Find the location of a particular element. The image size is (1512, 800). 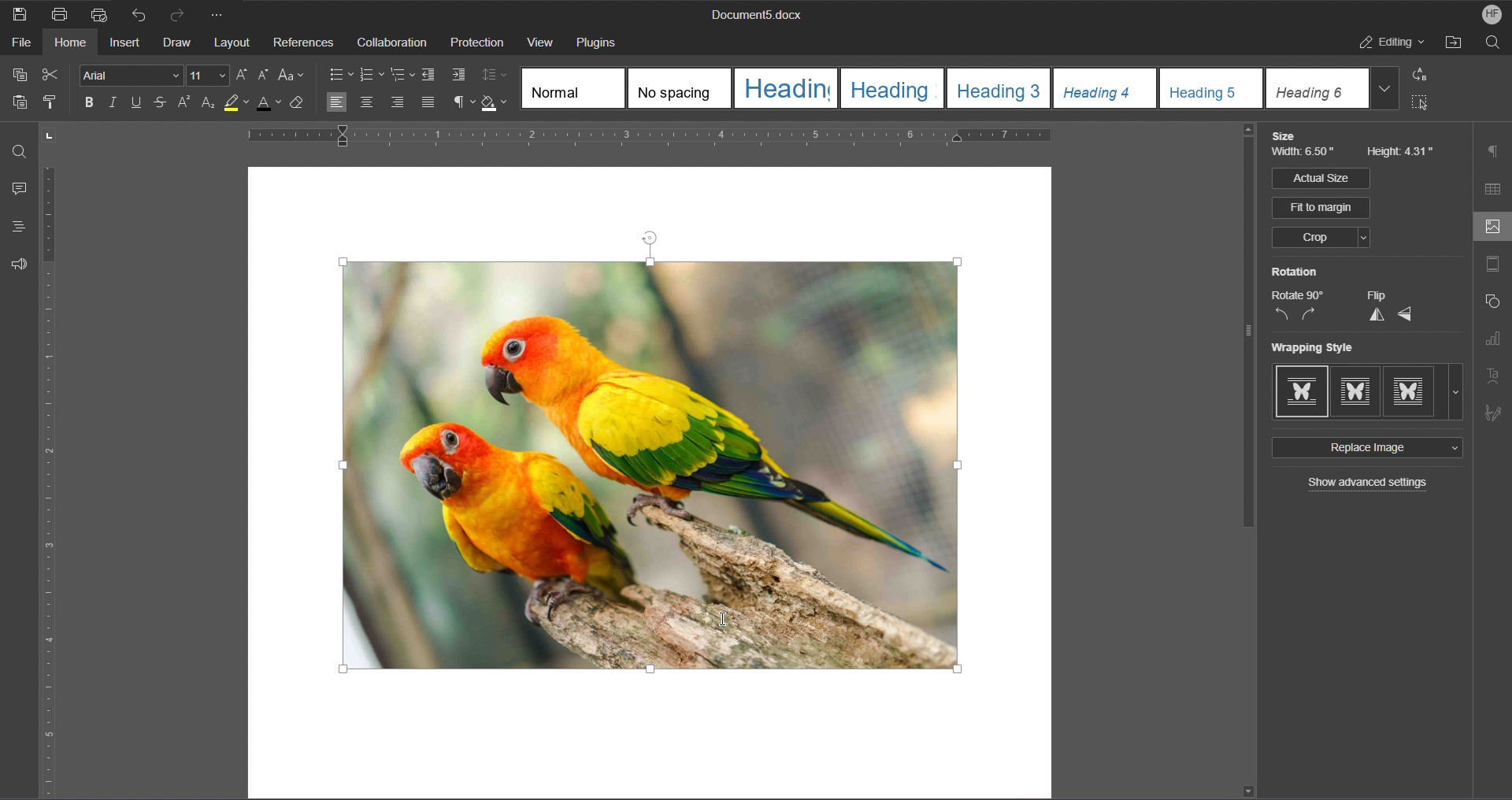

Collaboration is located at coordinates (390, 42).